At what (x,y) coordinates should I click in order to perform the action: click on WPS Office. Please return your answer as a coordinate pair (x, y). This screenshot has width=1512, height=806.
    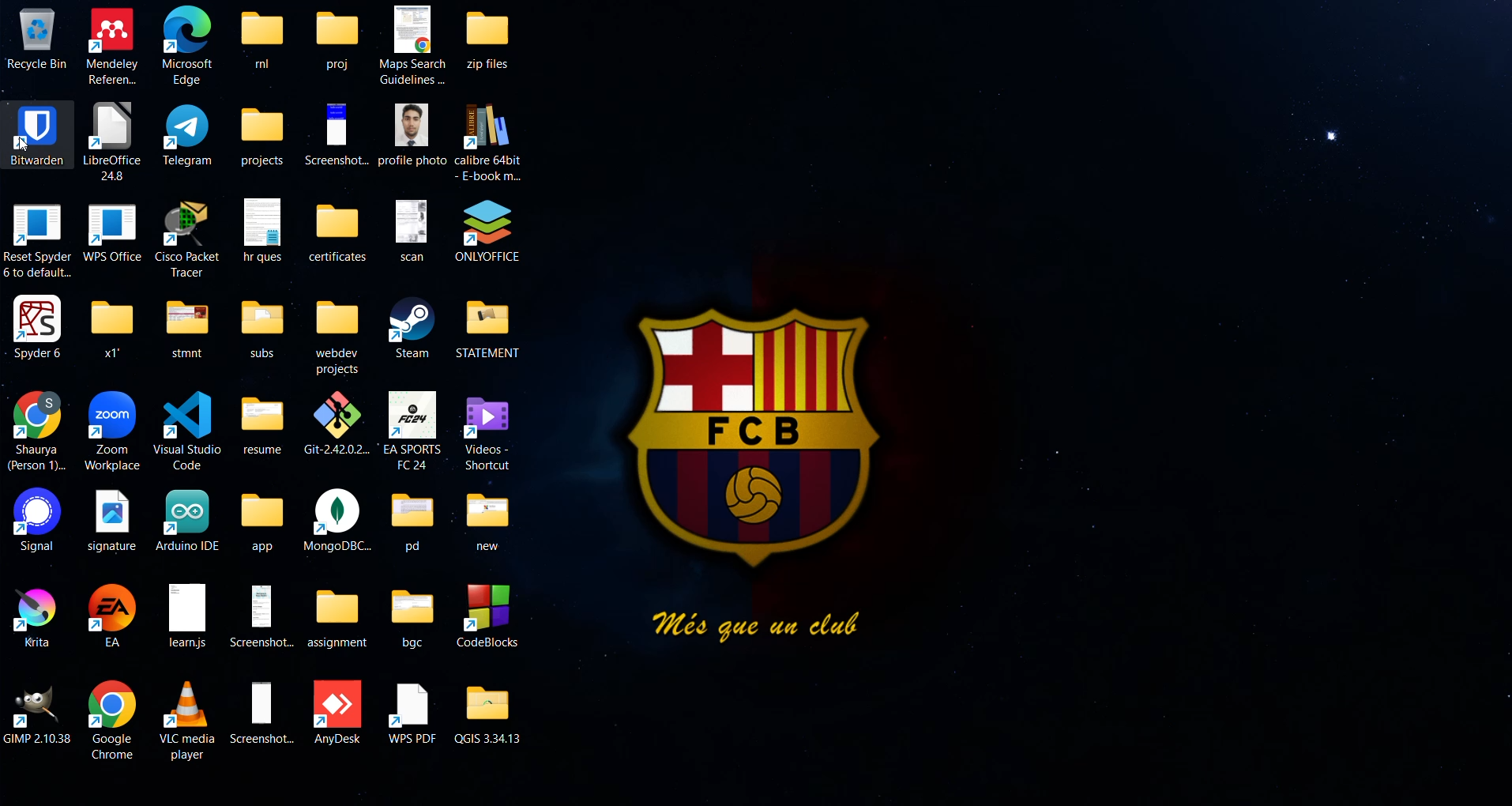
    Looking at the image, I should click on (111, 230).